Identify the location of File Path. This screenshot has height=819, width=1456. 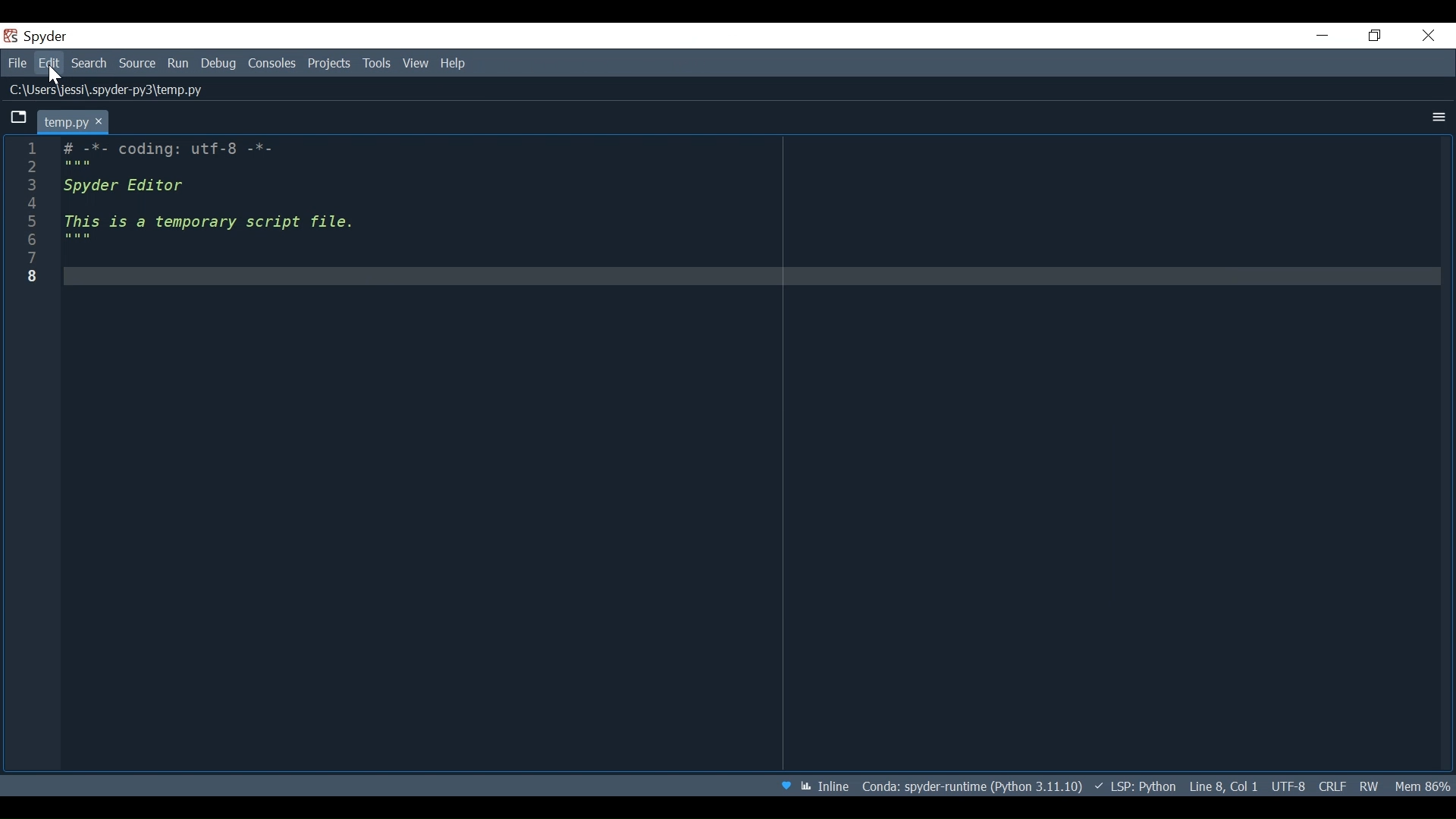
(113, 91).